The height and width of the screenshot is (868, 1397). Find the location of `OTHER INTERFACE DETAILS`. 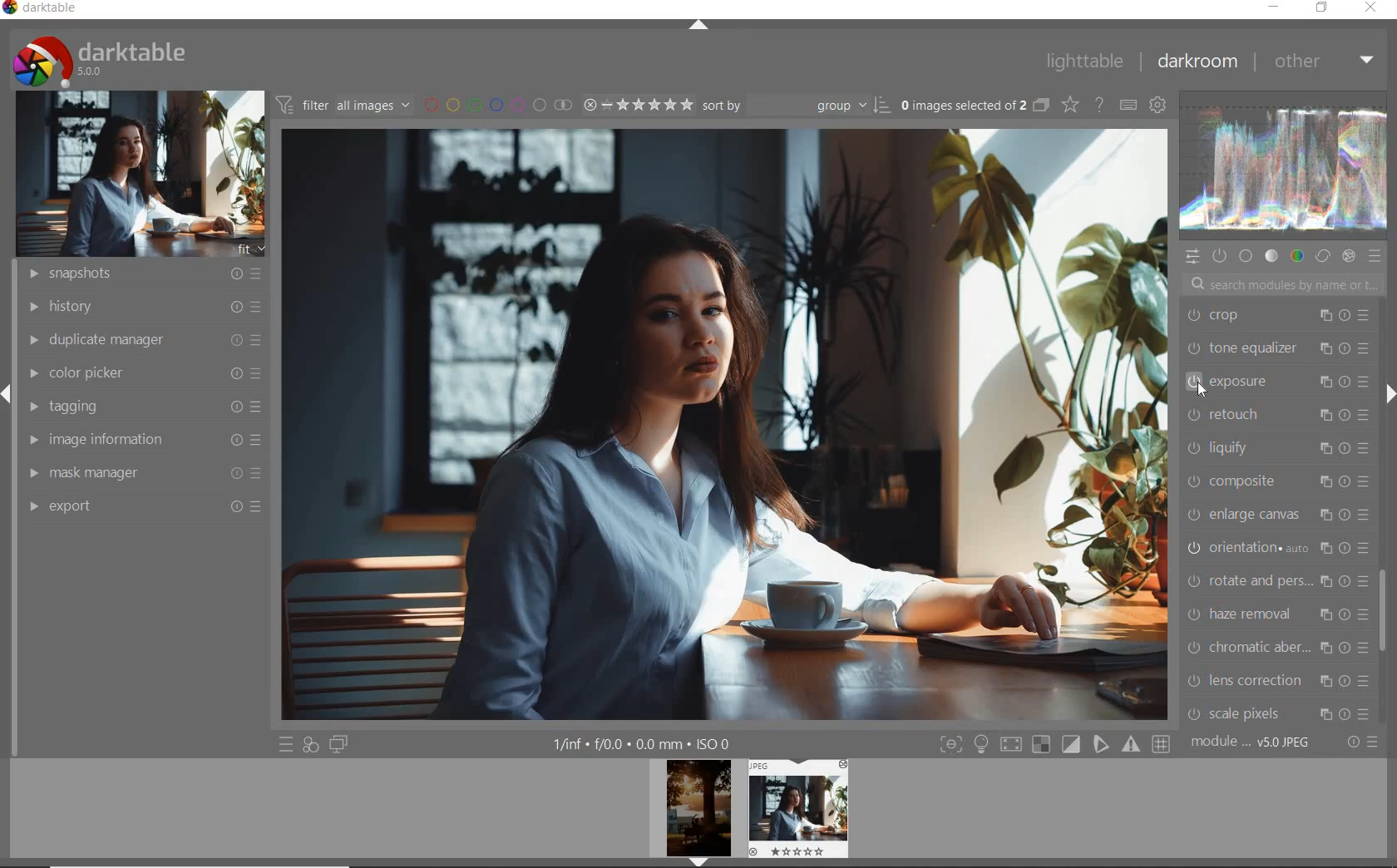

OTHER INTERFACE DETAILS is located at coordinates (643, 744).